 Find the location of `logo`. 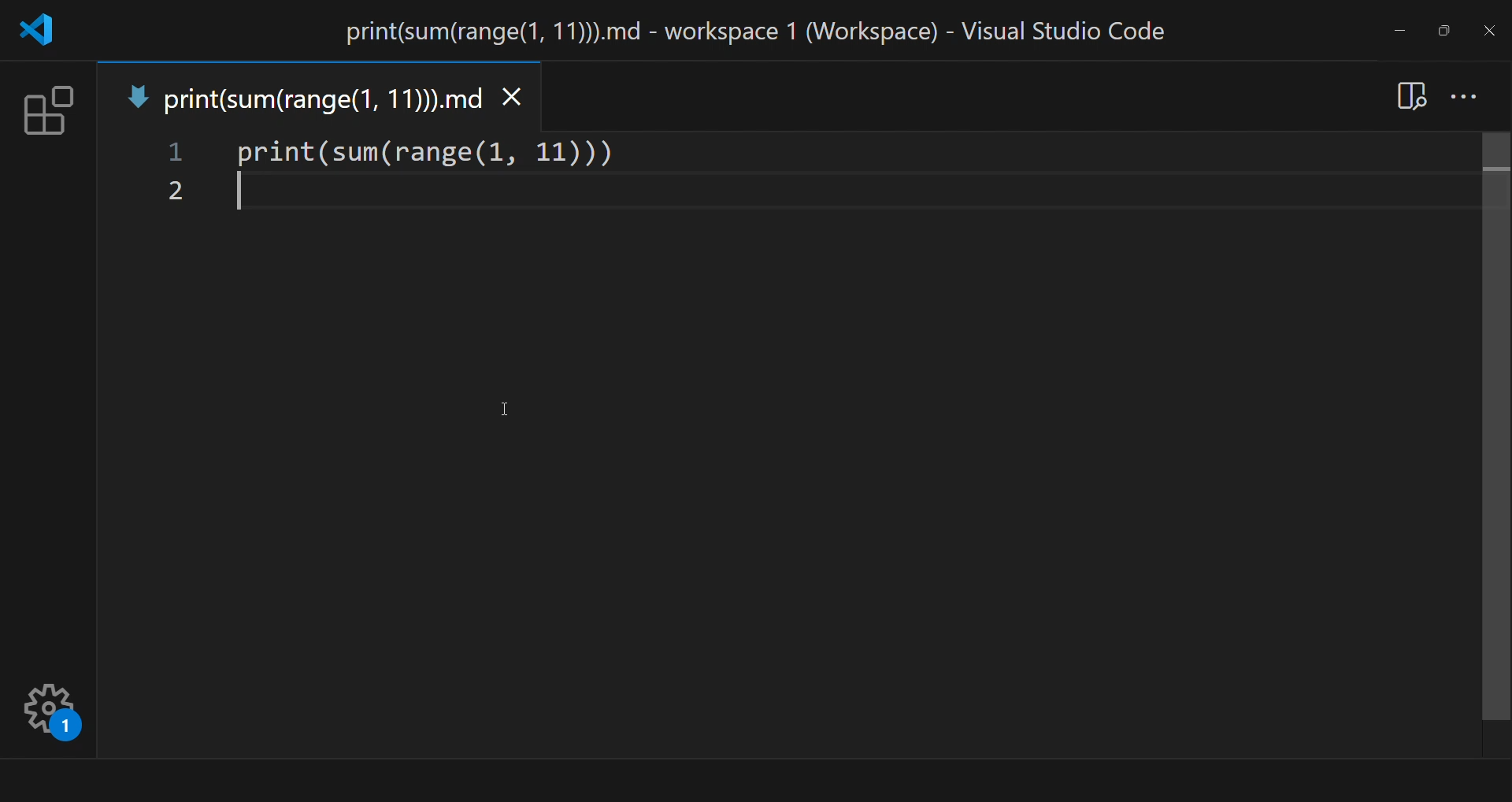

logo is located at coordinates (40, 31).